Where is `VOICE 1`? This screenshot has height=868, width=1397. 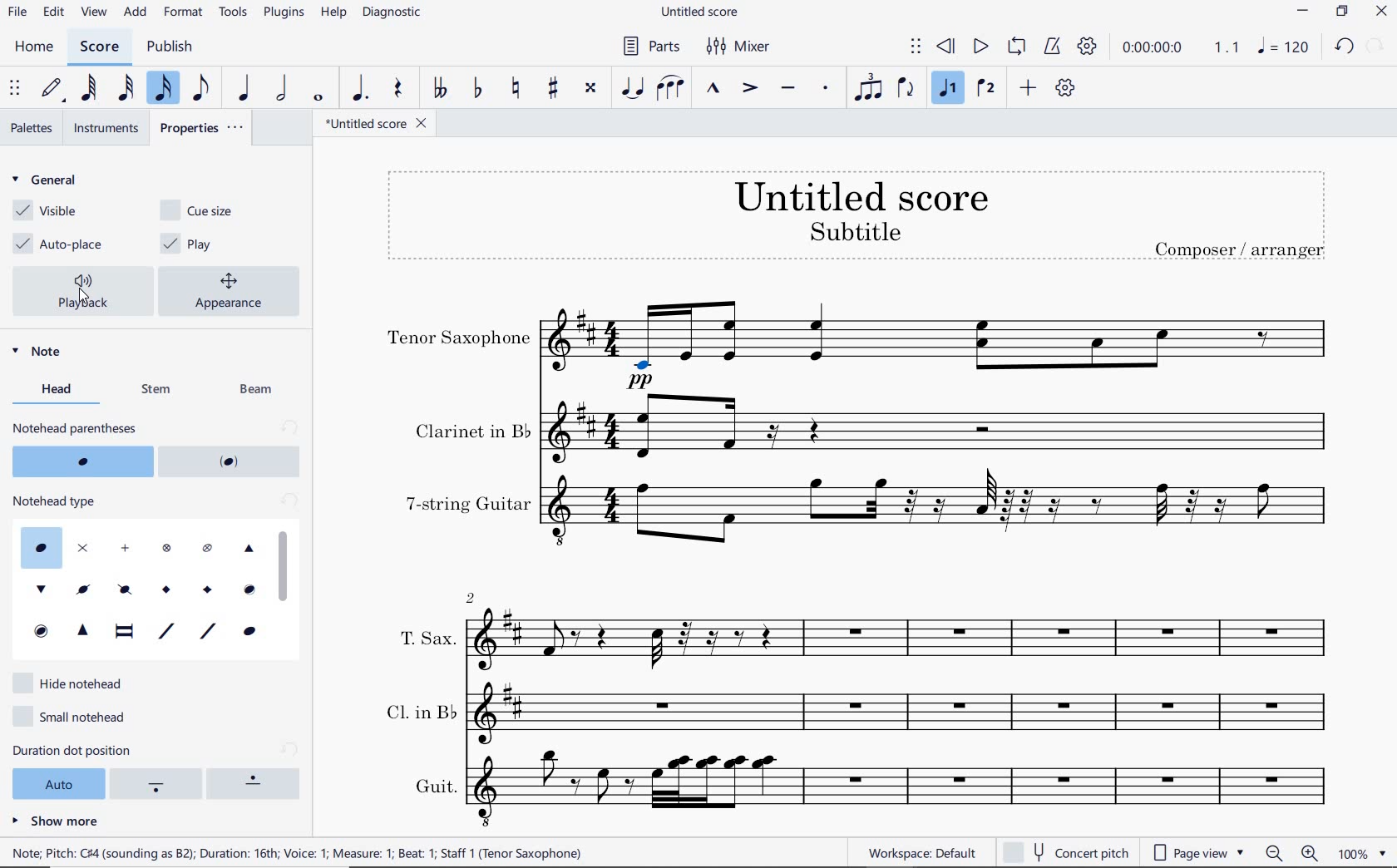
VOICE 1 is located at coordinates (950, 89).